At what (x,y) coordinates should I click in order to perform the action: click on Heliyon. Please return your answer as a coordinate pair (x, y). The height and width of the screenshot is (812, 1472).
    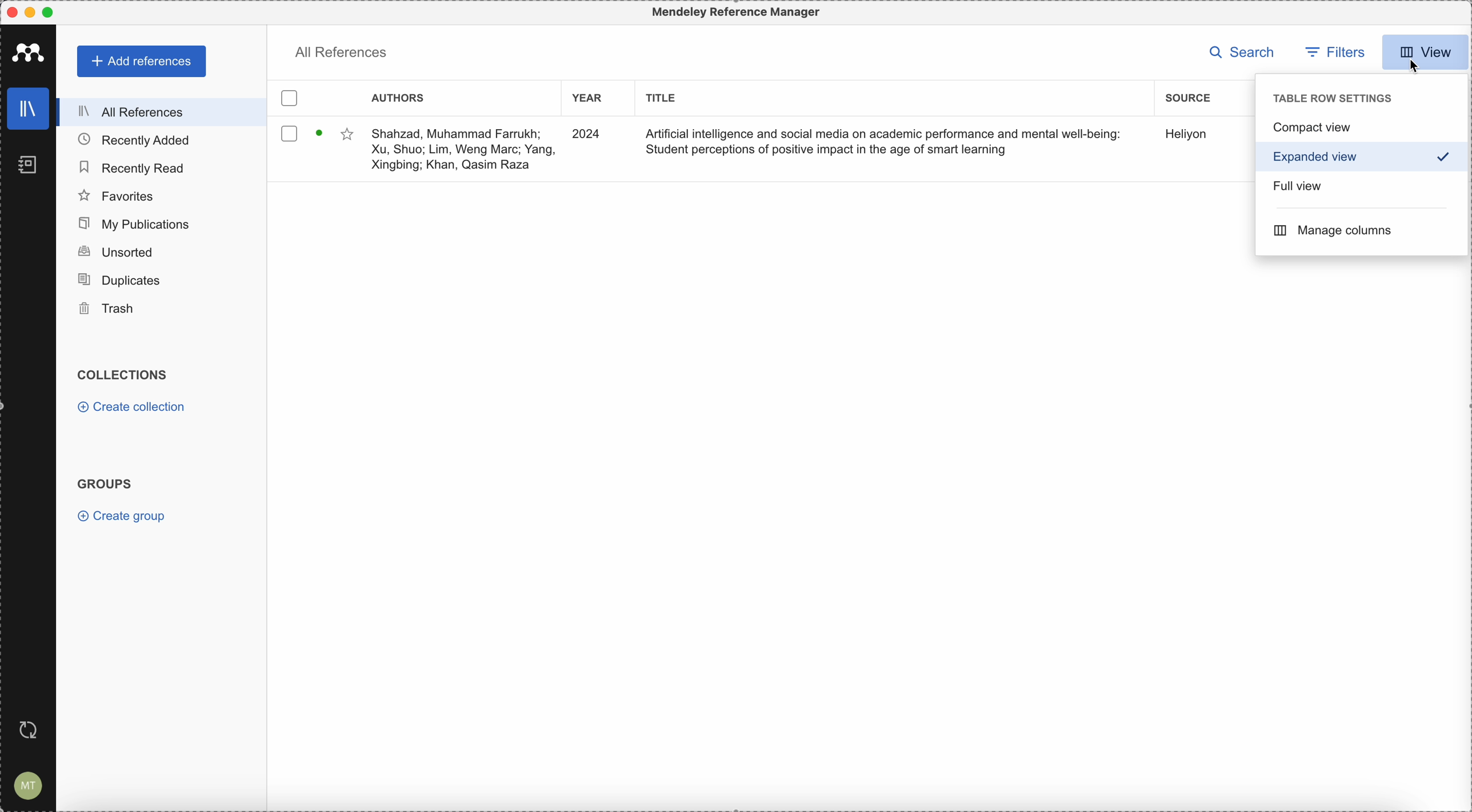
    Looking at the image, I should click on (1188, 134).